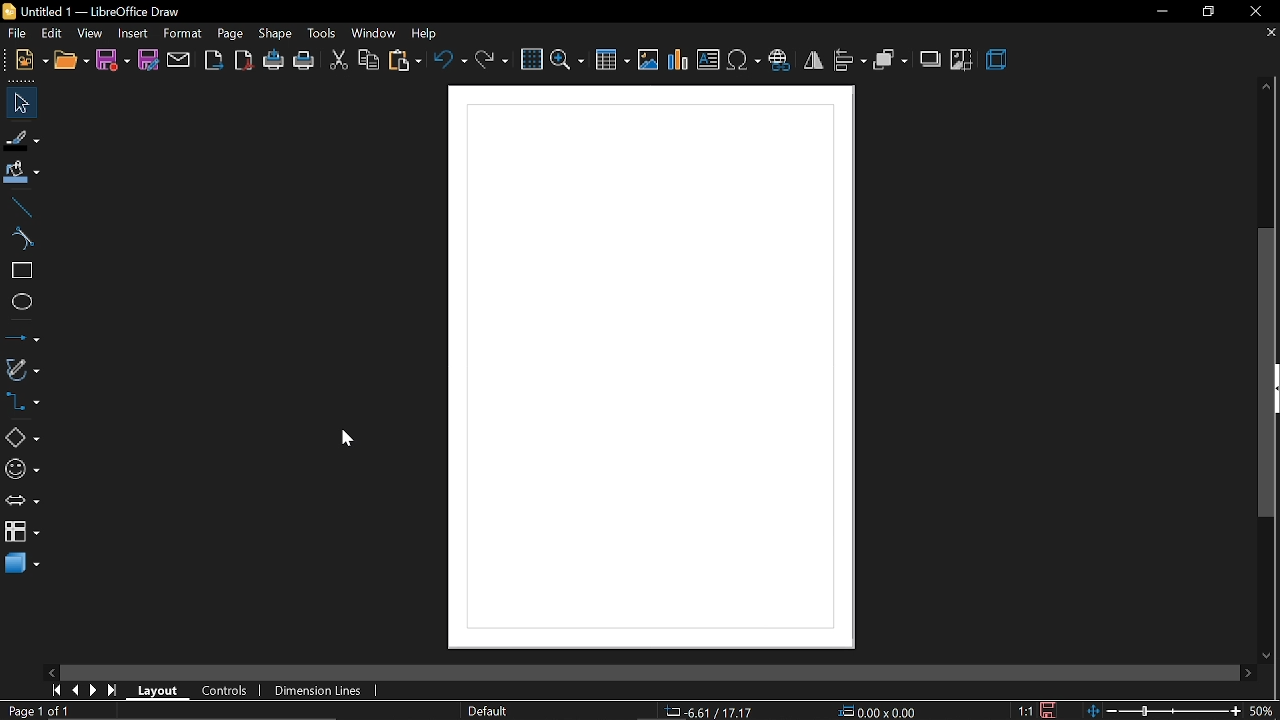 This screenshot has height=720, width=1280. Describe the element at coordinates (611, 61) in the screenshot. I see `insert table` at that location.